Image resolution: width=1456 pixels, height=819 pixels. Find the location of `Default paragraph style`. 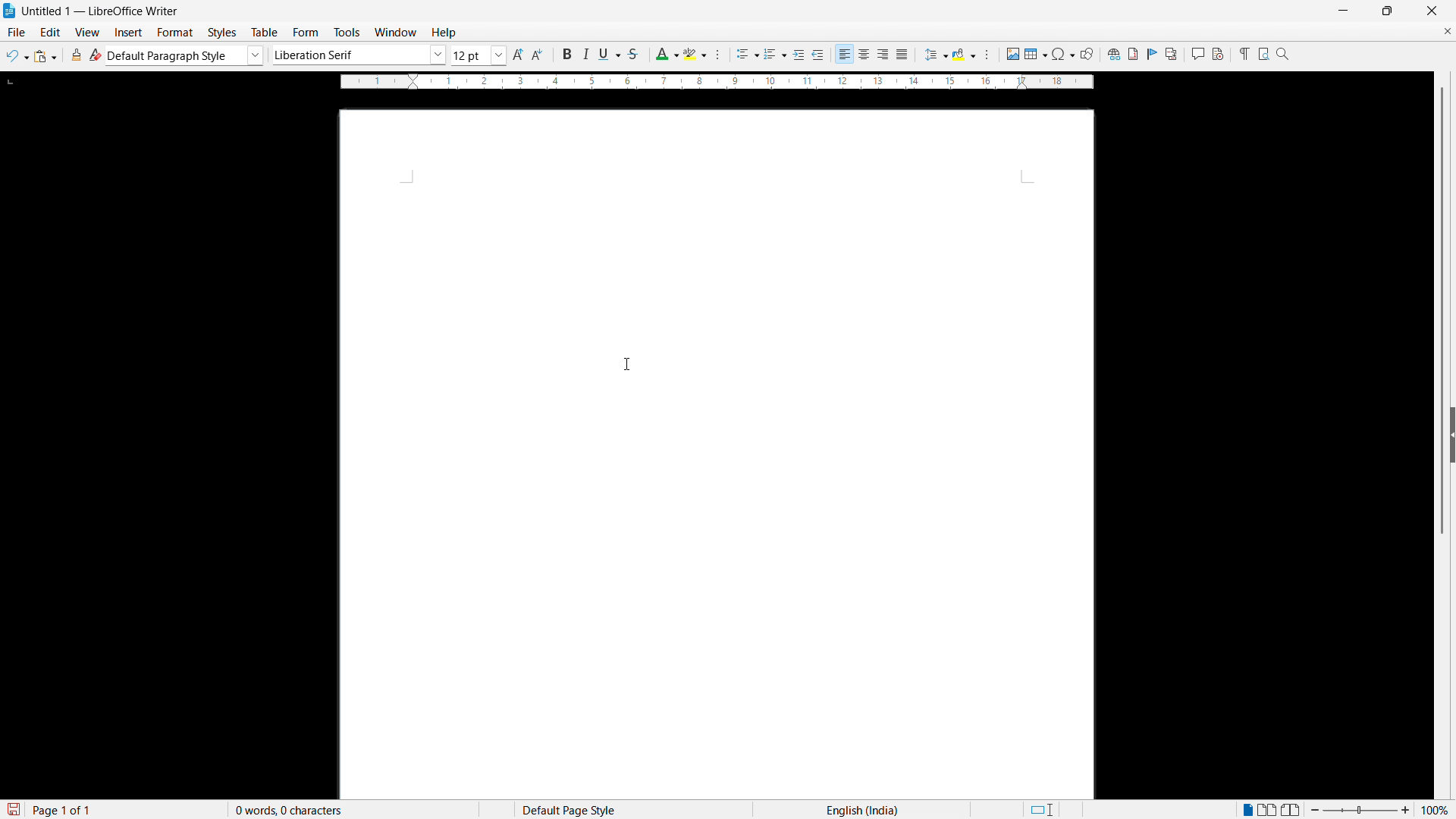

Default paragraph style is located at coordinates (186, 55).